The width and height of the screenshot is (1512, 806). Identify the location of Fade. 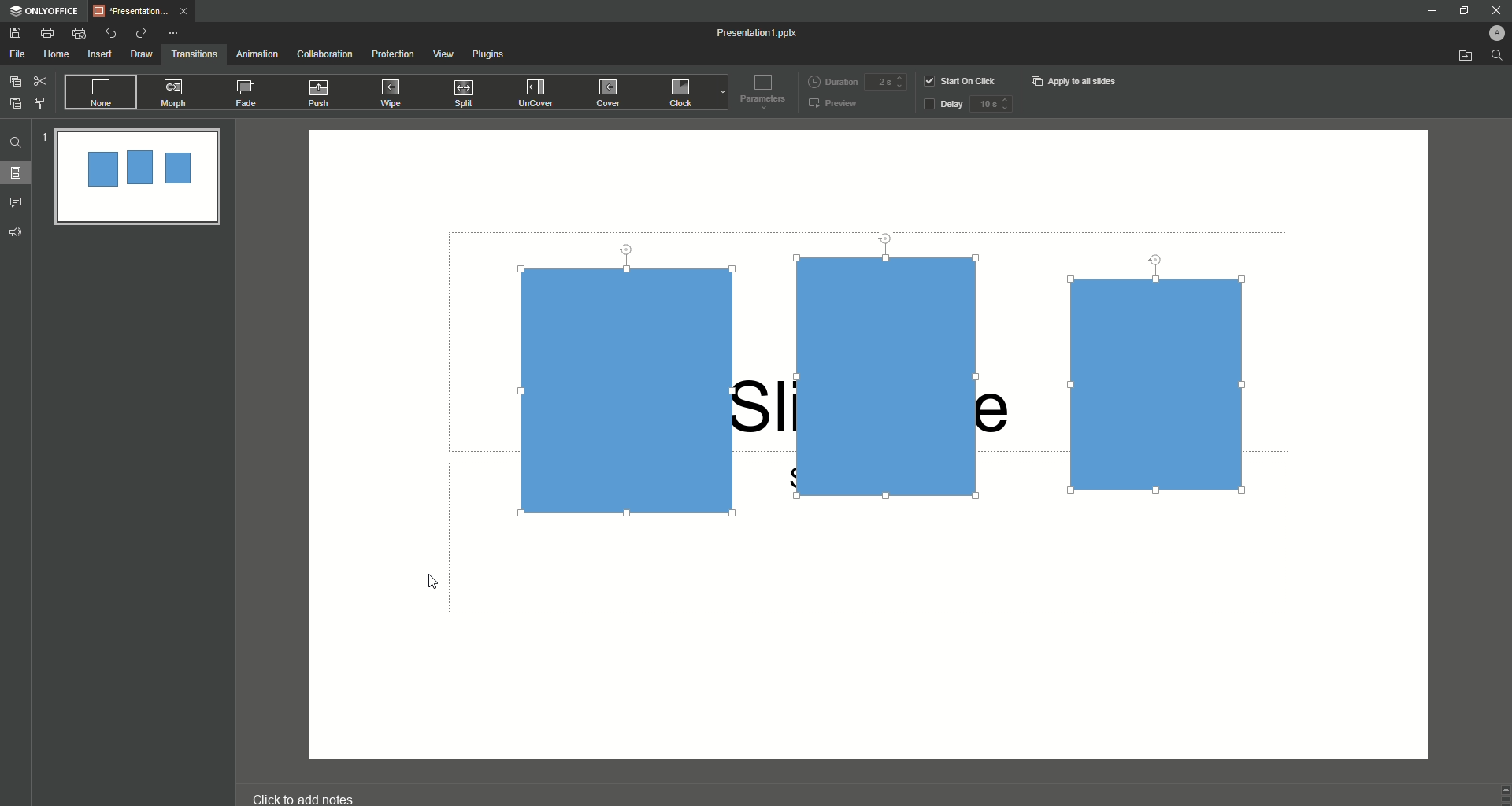
(247, 96).